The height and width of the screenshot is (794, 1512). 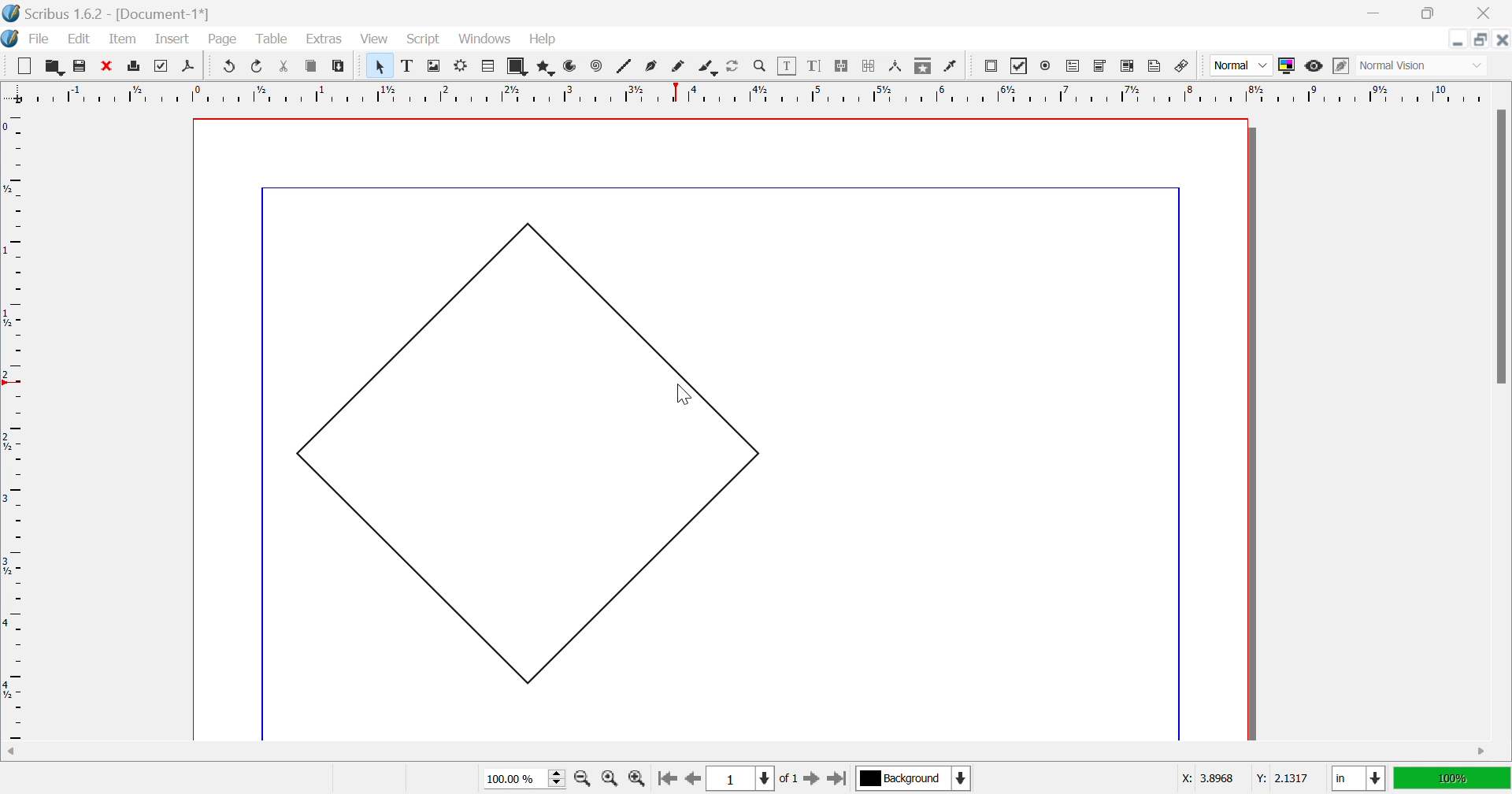 What do you see at coordinates (1483, 752) in the screenshot?
I see `Scroll right` at bounding box center [1483, 752].